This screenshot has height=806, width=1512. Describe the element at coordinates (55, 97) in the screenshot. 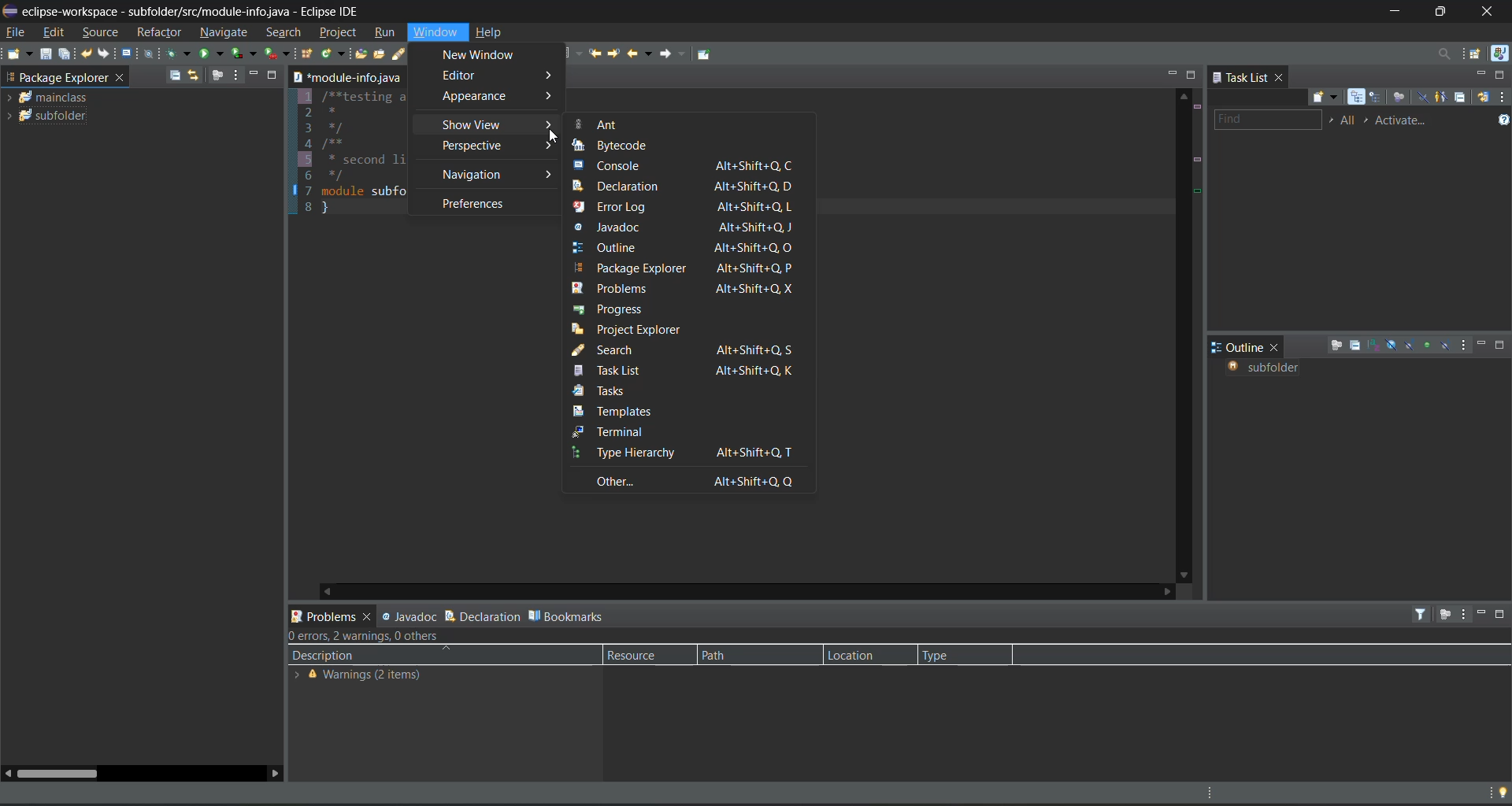

I see `mainclass` at that location.